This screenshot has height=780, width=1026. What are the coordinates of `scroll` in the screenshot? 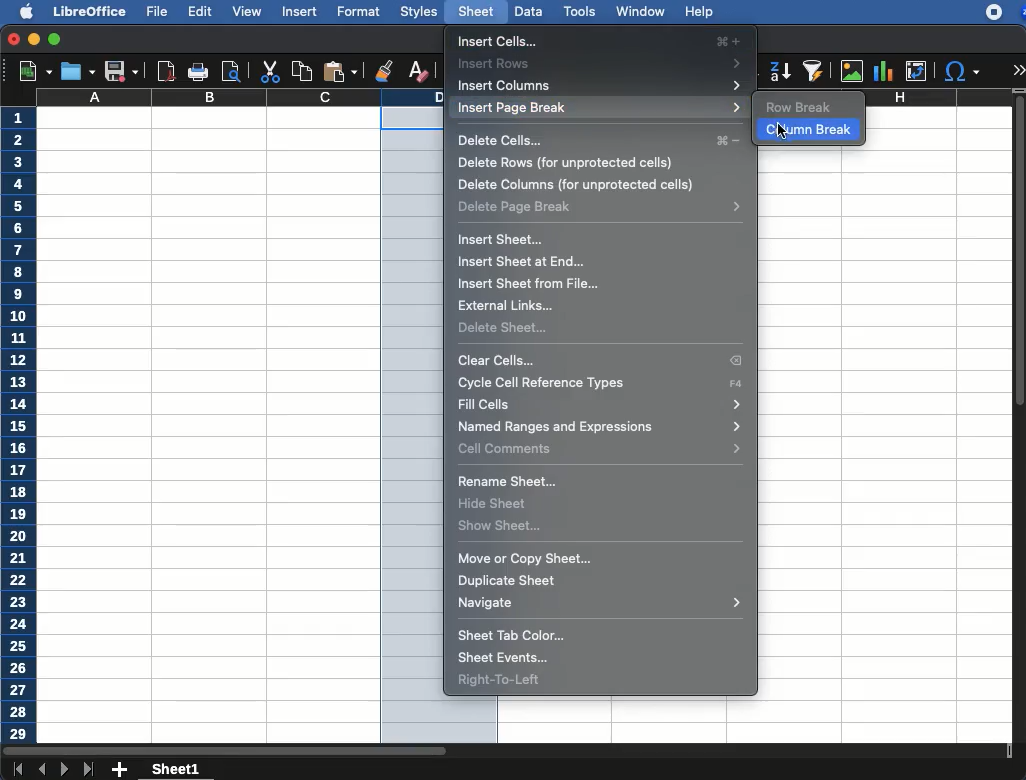 It's located at (1020, 424).